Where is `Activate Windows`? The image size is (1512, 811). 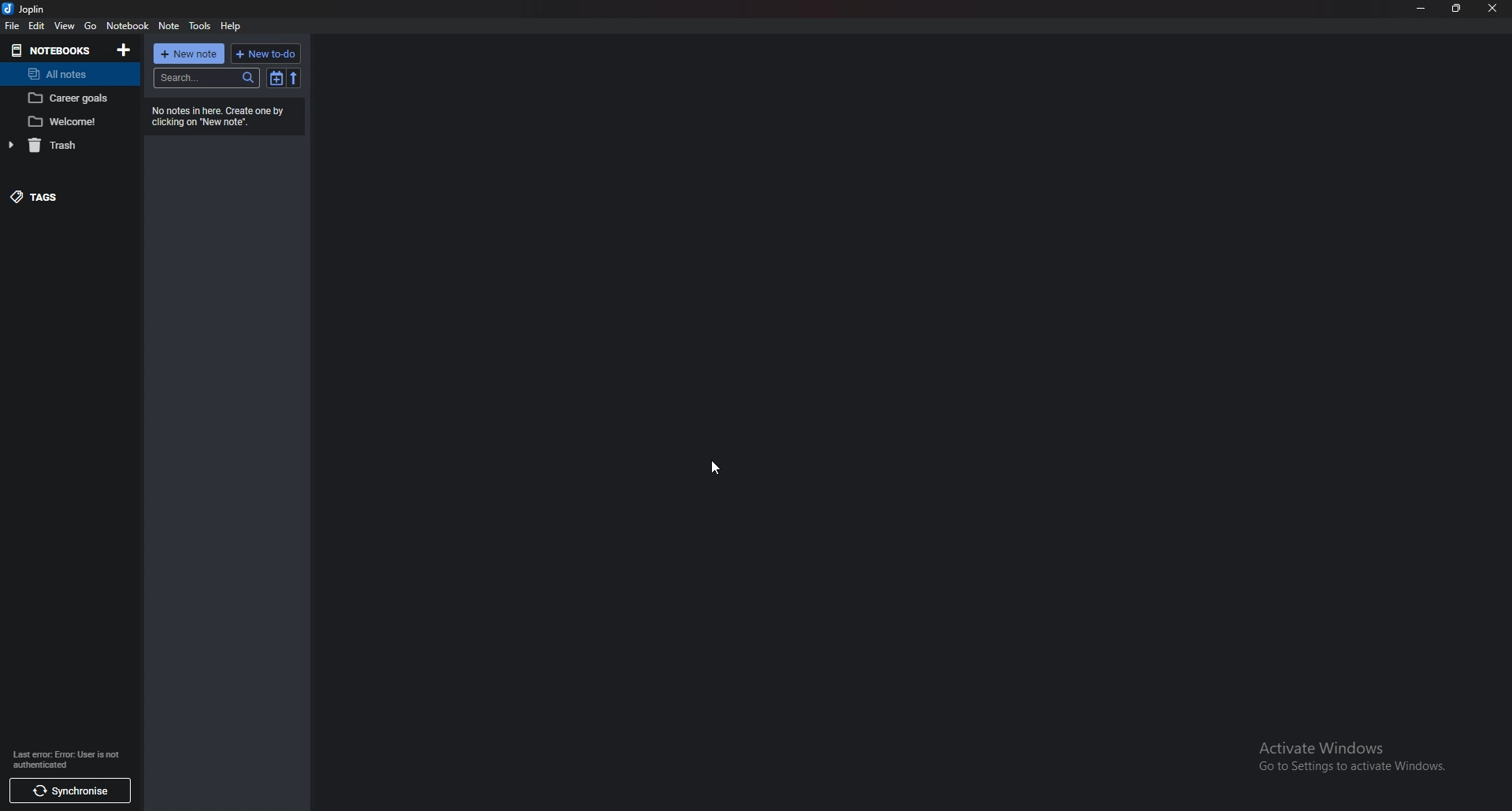 Activate Windows is located at coordinates (1351, 754).